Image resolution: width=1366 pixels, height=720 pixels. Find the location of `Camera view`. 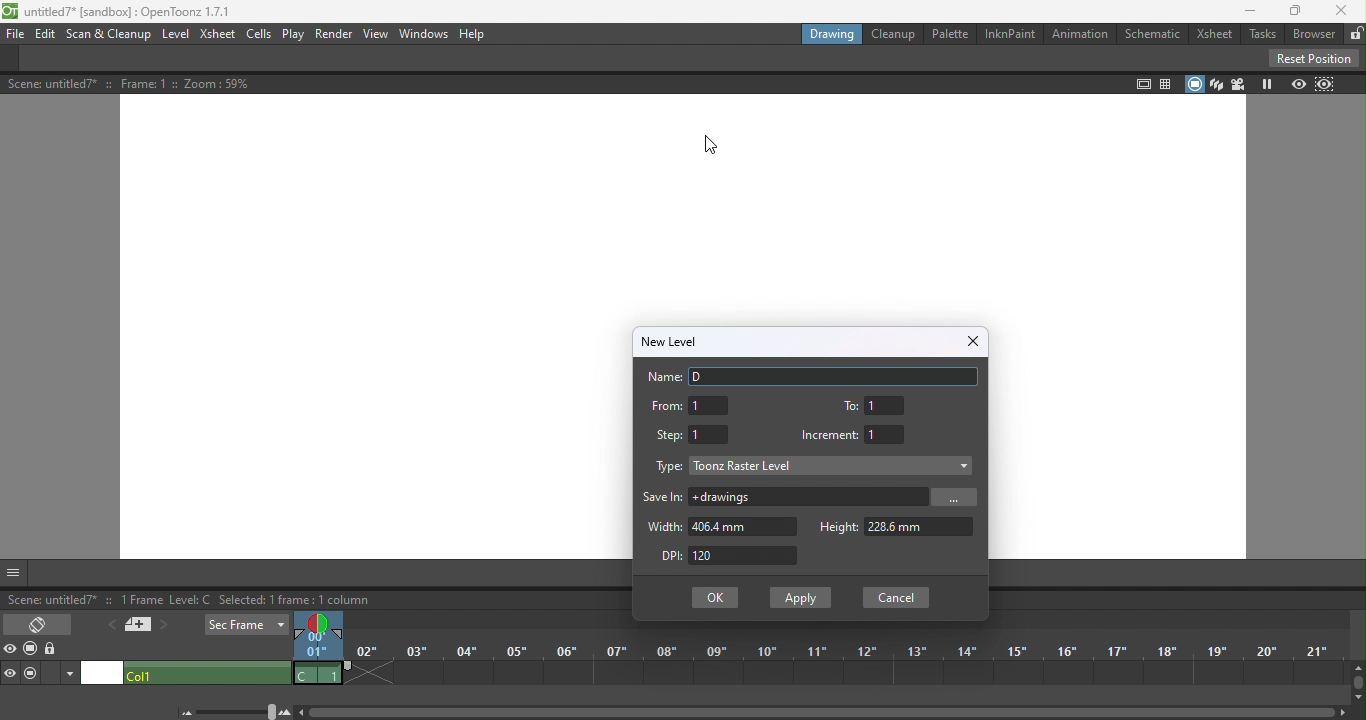

Camera view is located at coordinates (1237, 84).